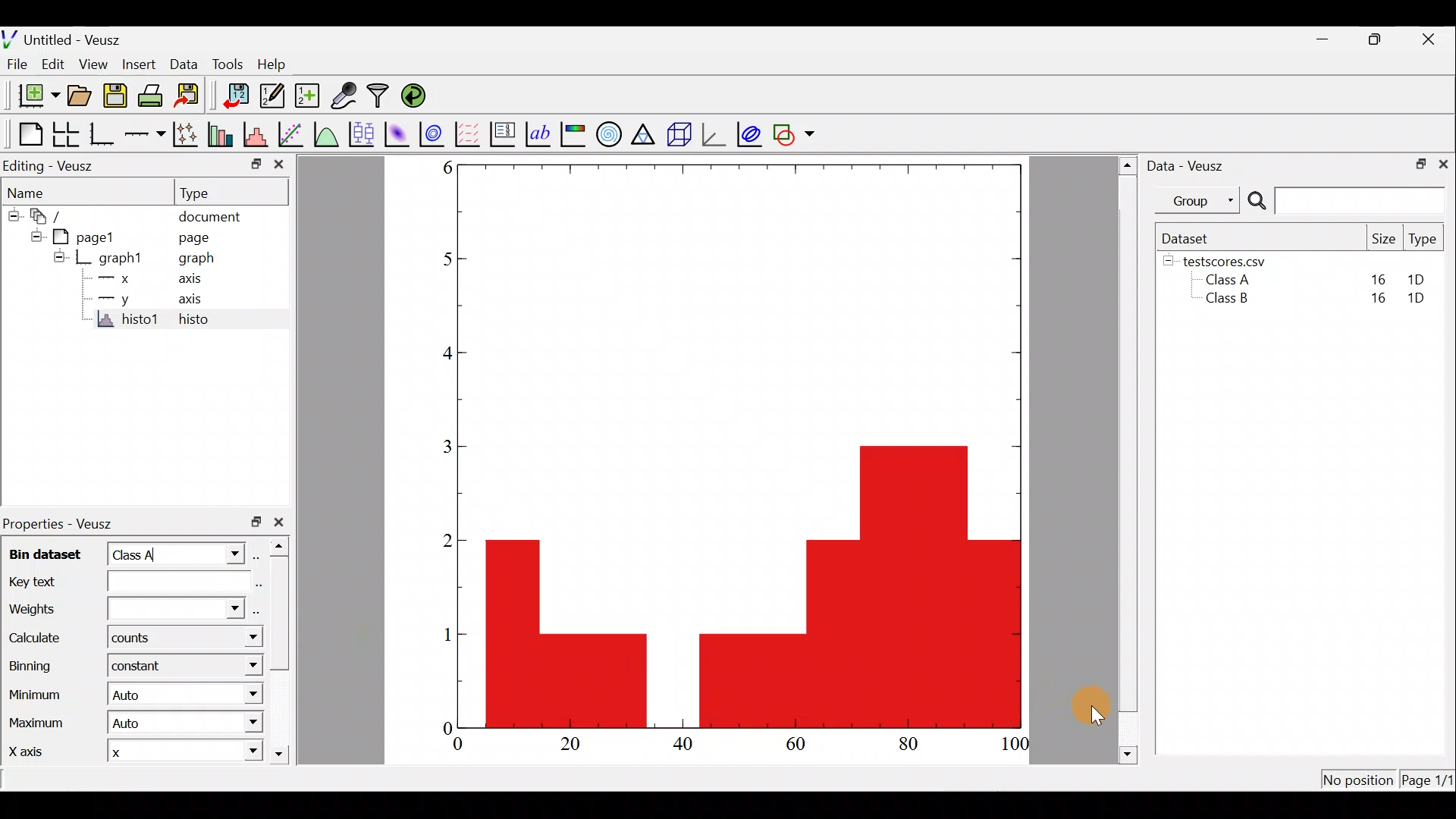 Image resolution: width=1456 pixels, height=819 pixels. What do you see at coordinates (182, 62) in the screenshot?
I see `Data` at bounding box center [182, 62].